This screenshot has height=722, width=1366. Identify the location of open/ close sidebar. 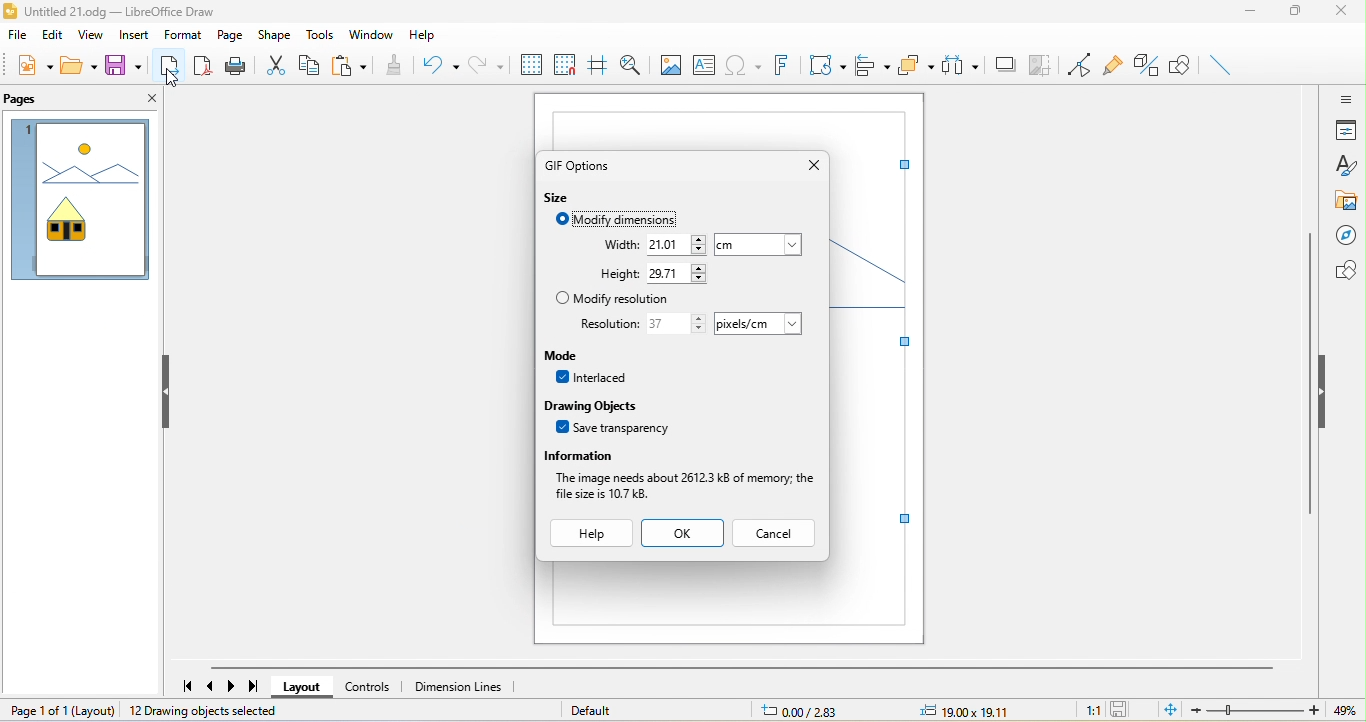
(1344, 98).